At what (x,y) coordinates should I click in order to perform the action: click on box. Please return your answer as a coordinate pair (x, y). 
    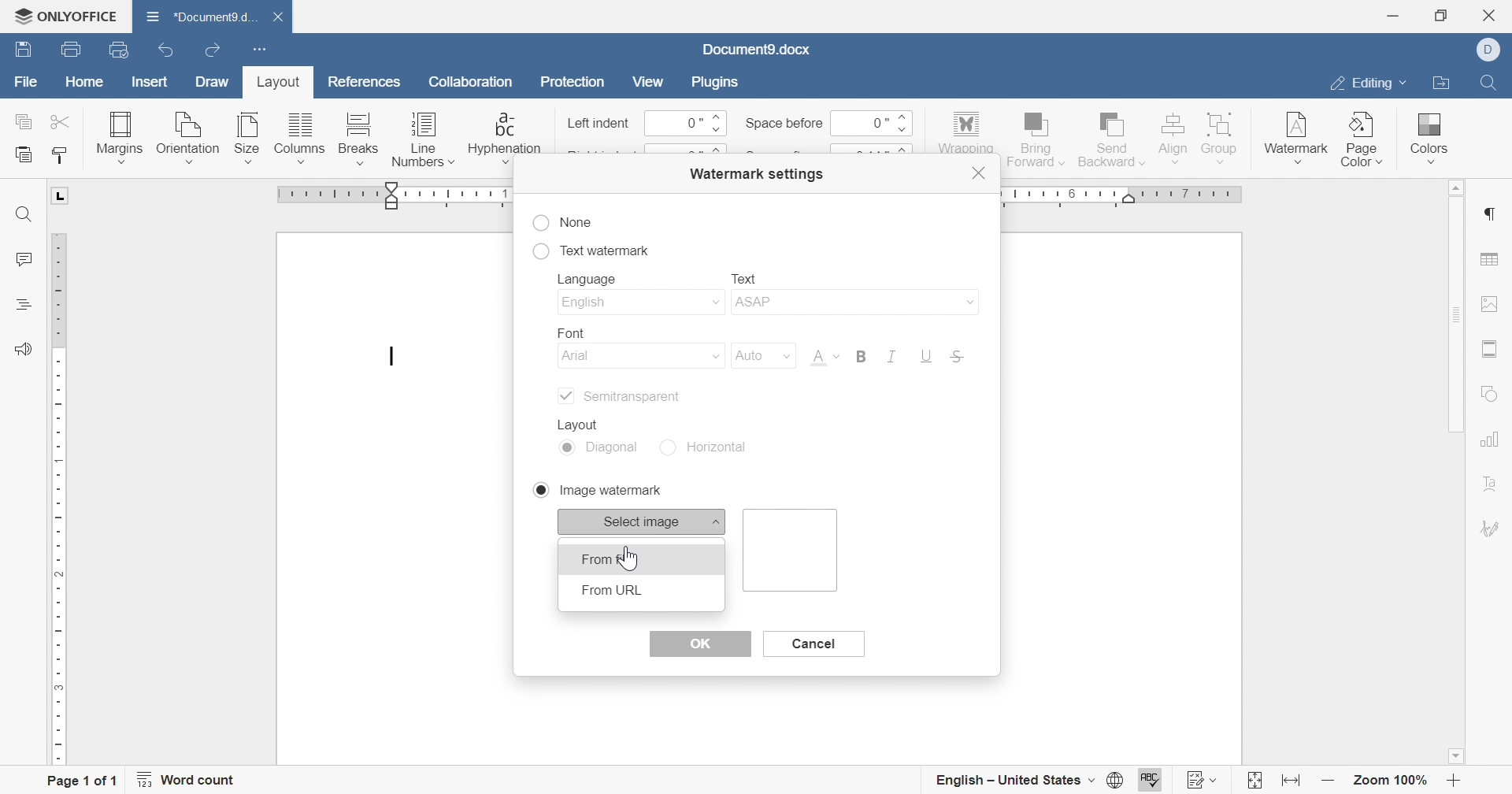
    Looking at the image, I should click on (793, 550).